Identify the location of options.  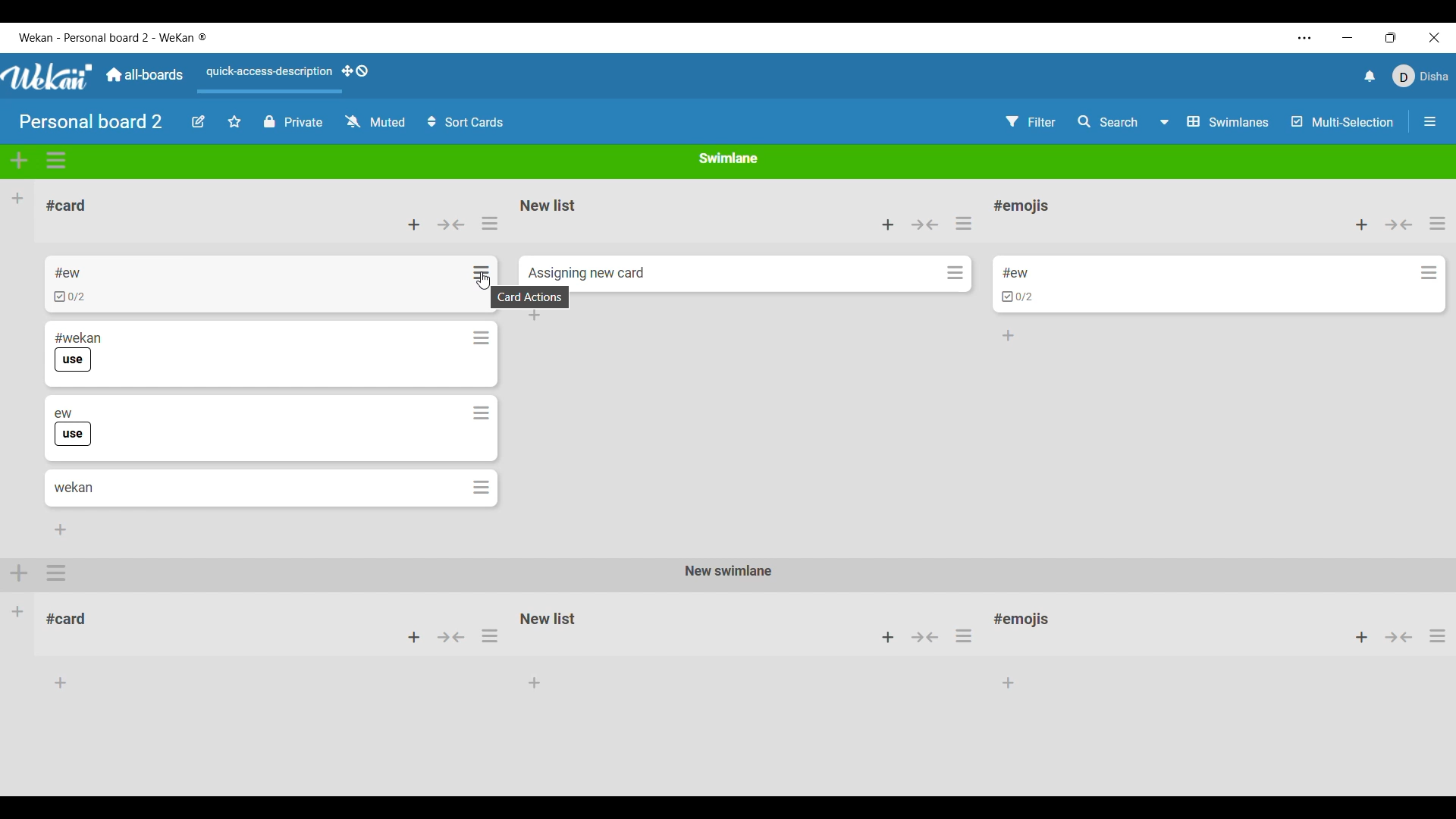
(58, 573).